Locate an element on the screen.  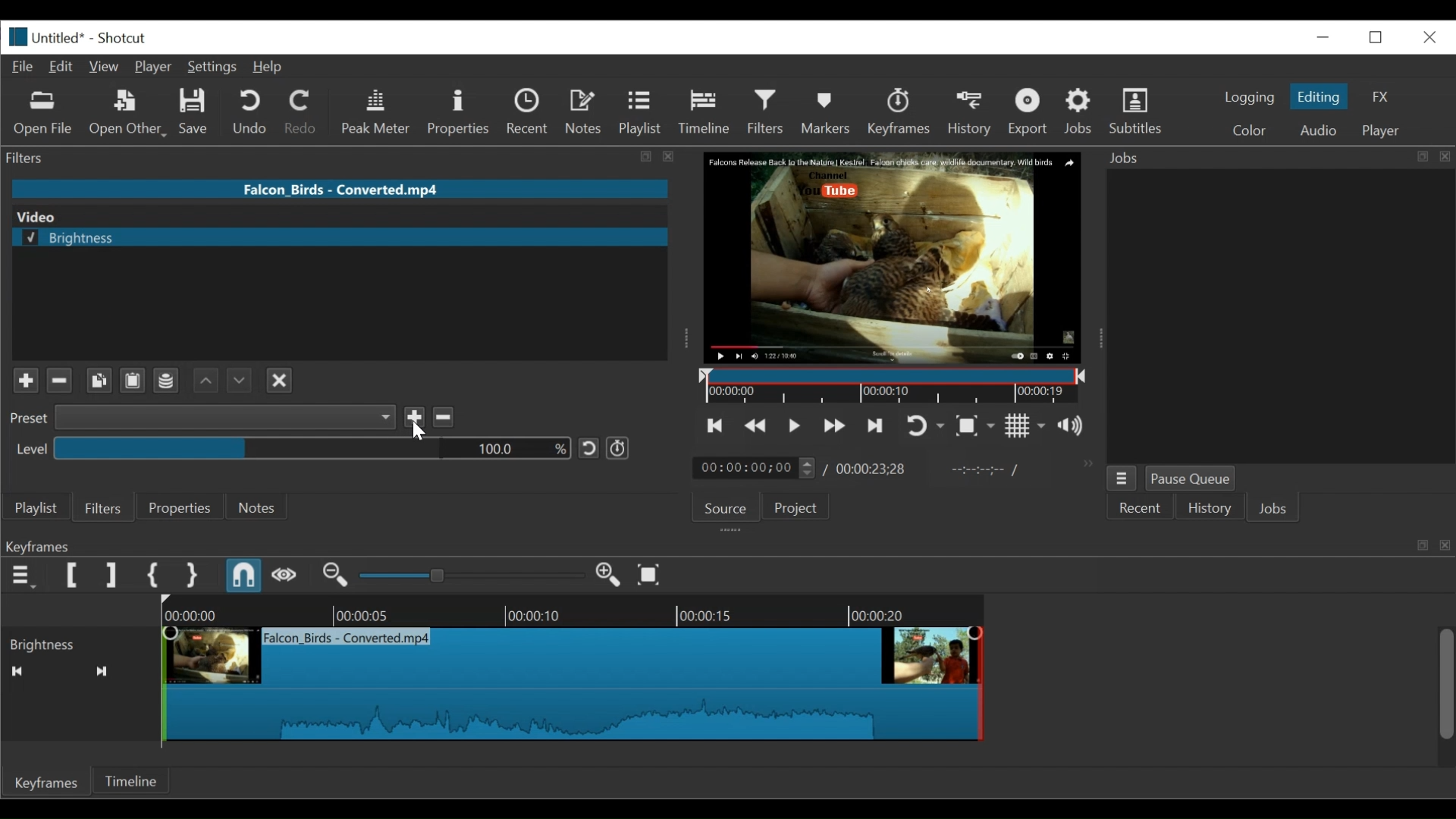
Close is located at coordinates (277, 380).